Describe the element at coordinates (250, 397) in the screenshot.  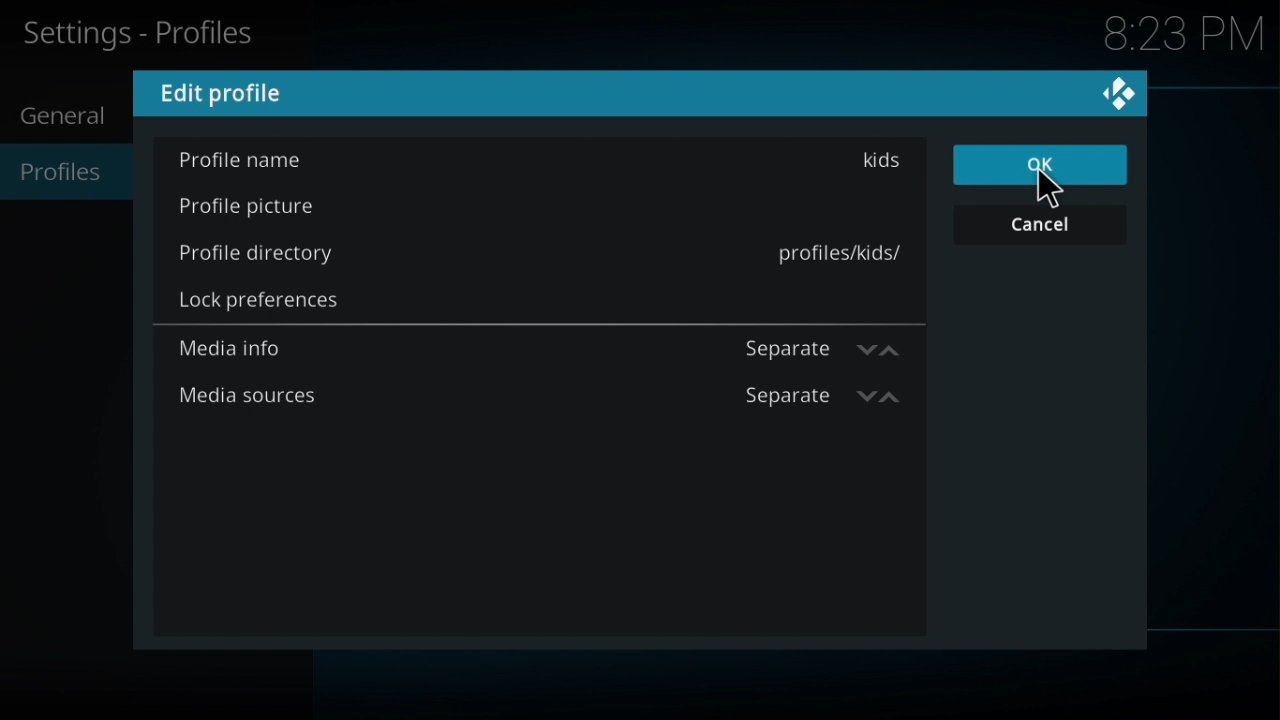
I see `Media sources` at that location.